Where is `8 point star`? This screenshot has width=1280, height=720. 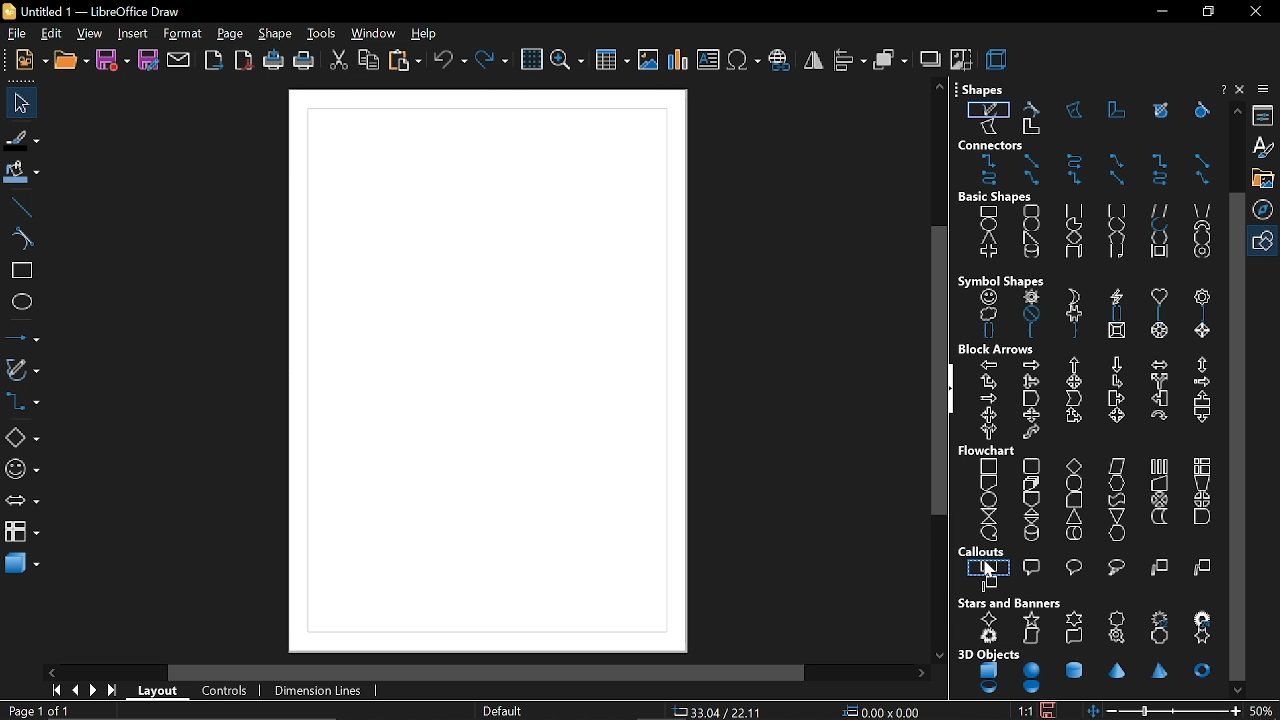
8 point star is located at coordinates (1117, 617).